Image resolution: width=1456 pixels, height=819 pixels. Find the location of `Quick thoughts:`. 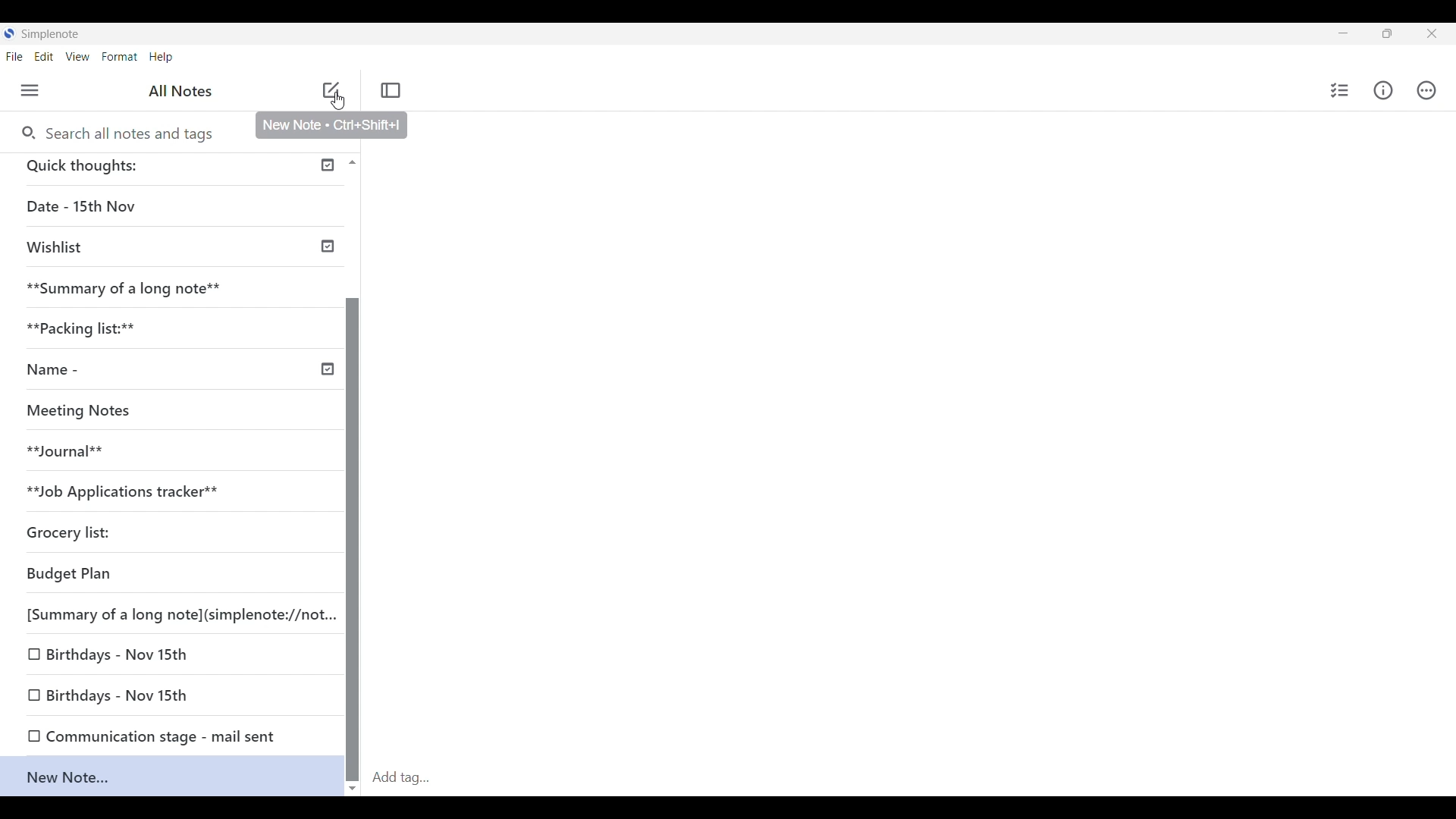

Quick thoughts: is located at coordinates (177, 166).